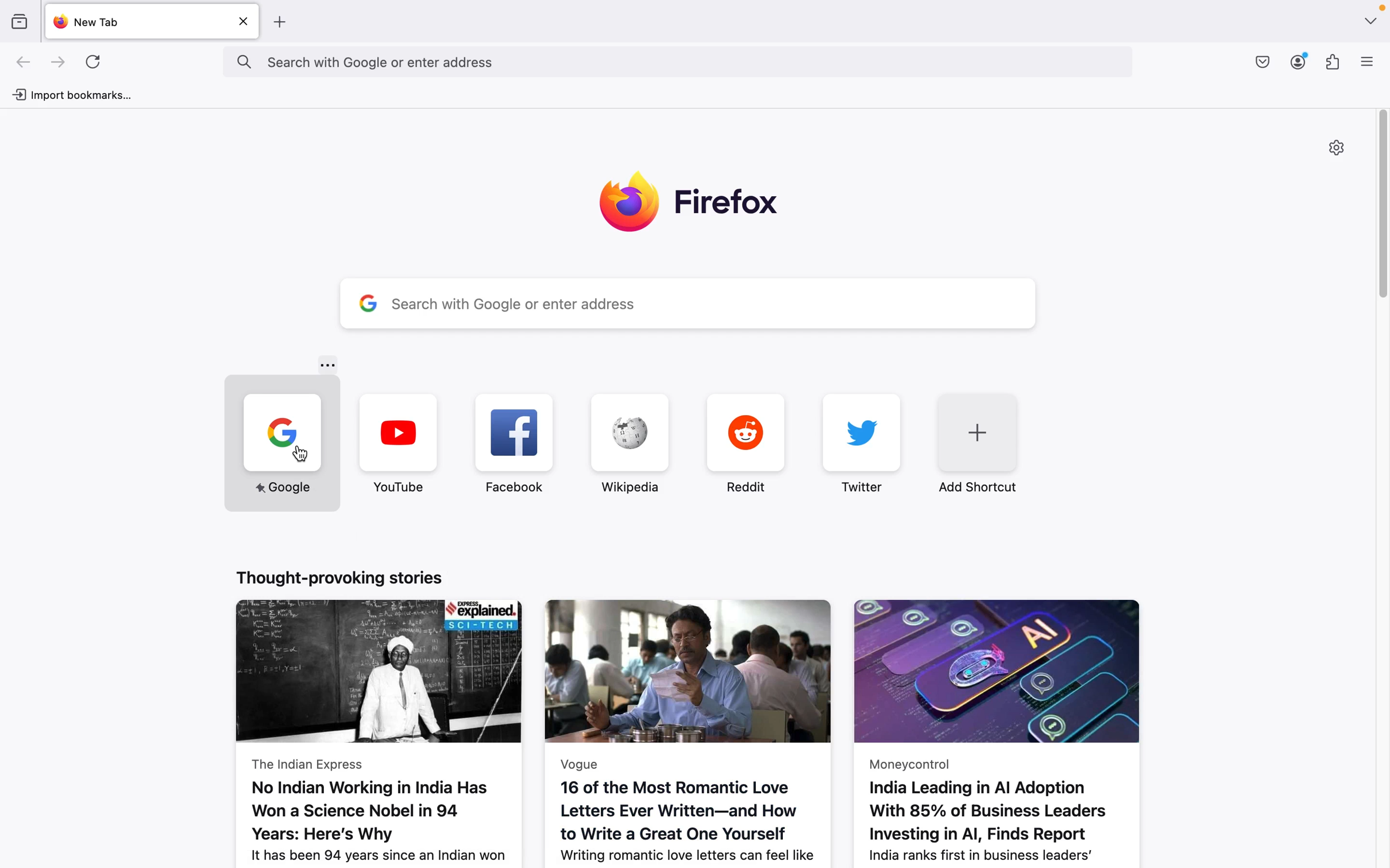 The image size is (1390, 868). What do you see at coordinates (858, 446) in the screenshot?
I see `twitter` at bounding box center [858, 446].